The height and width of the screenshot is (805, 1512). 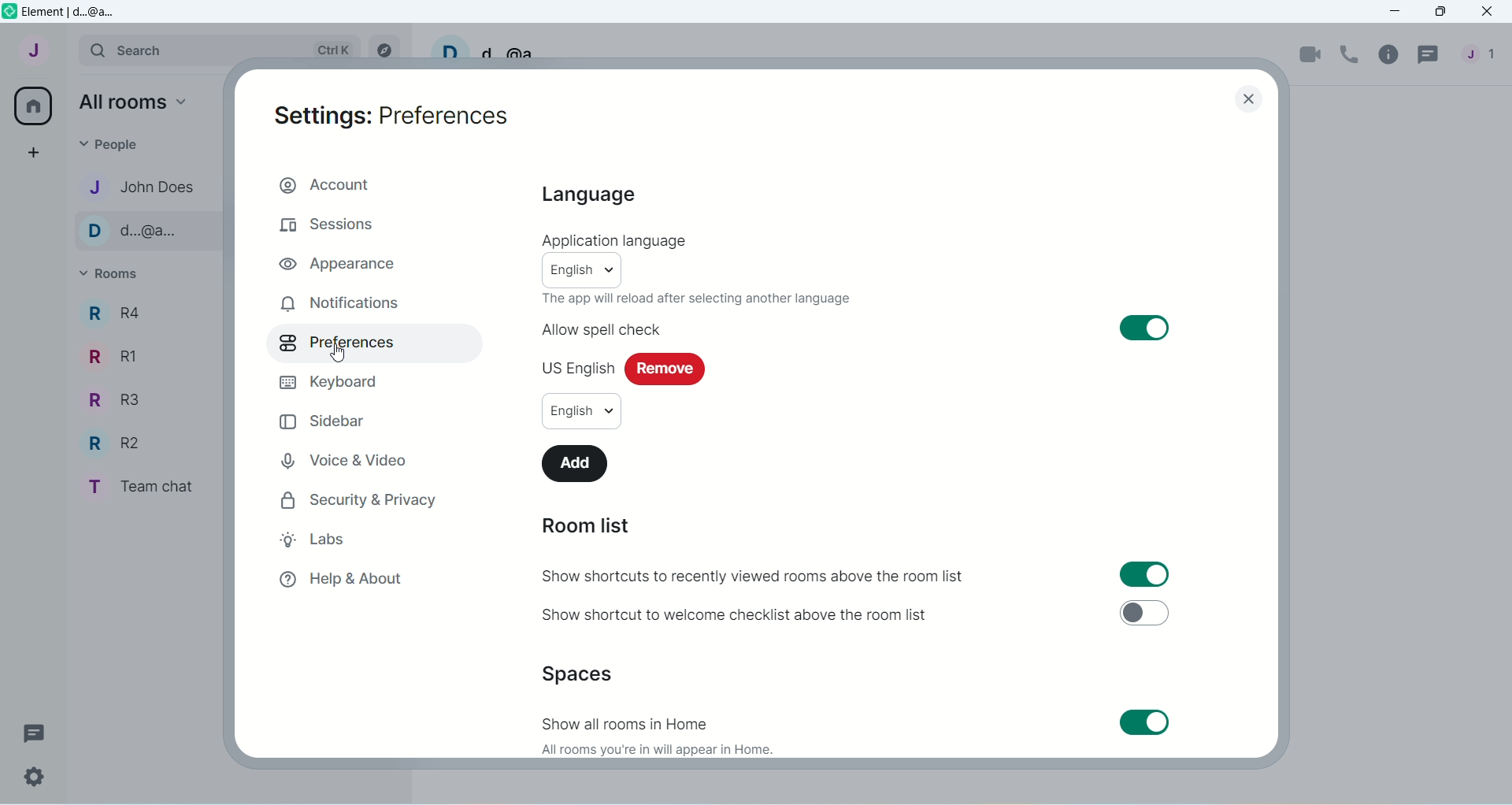 What do you see at coordinates (754, 575) in the screenshot?
I see `Show shortcuts to recently viewed rooms above the room list` at bounding box center [754, 575].